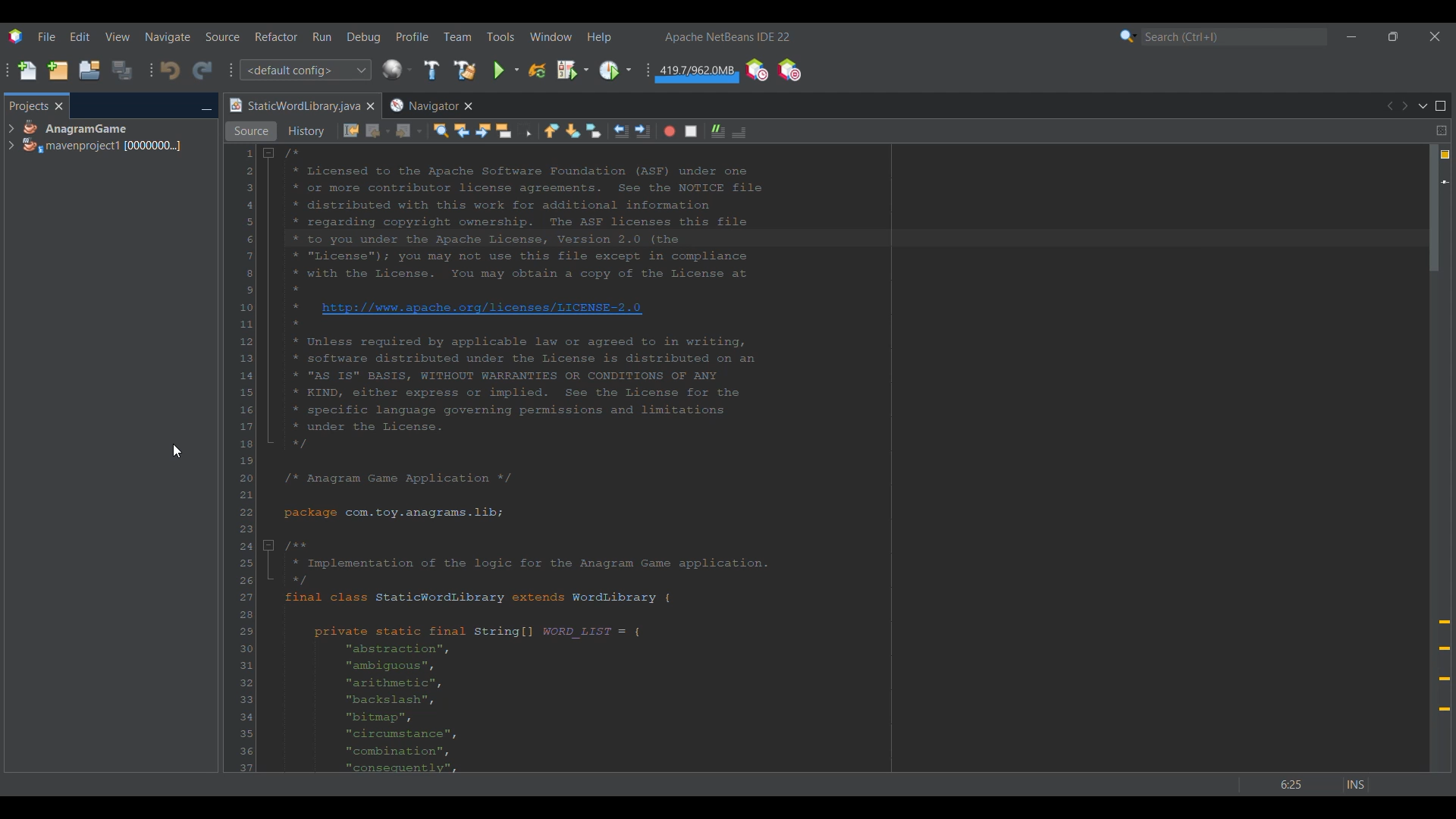  Describe the element at coordinates (464, 70) in the screenshot. I see `Clean and build main project` at that location.